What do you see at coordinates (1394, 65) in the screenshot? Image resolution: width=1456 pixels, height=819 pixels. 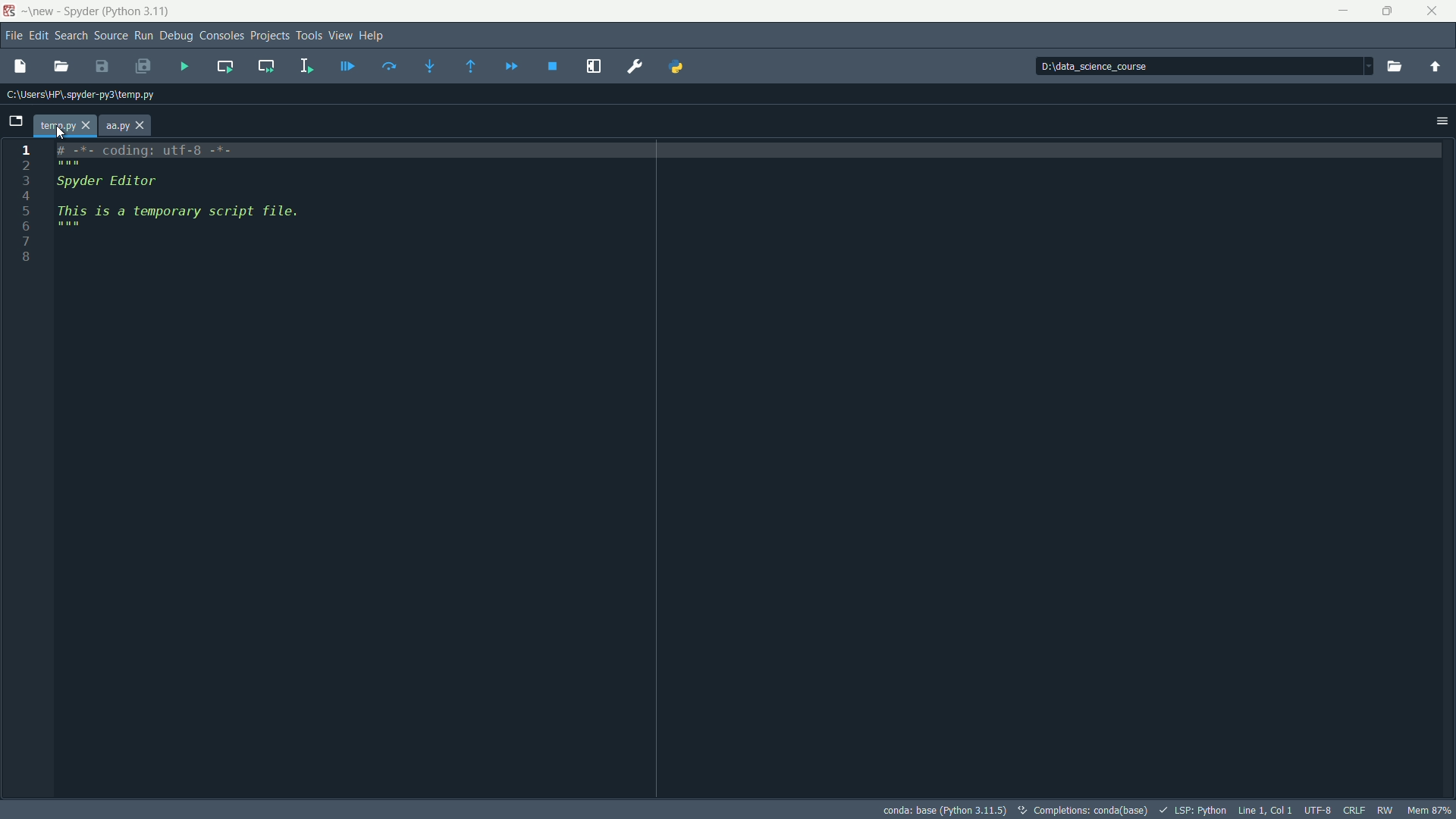 I see `browse a working directory` at bounding box center [1394, 65].